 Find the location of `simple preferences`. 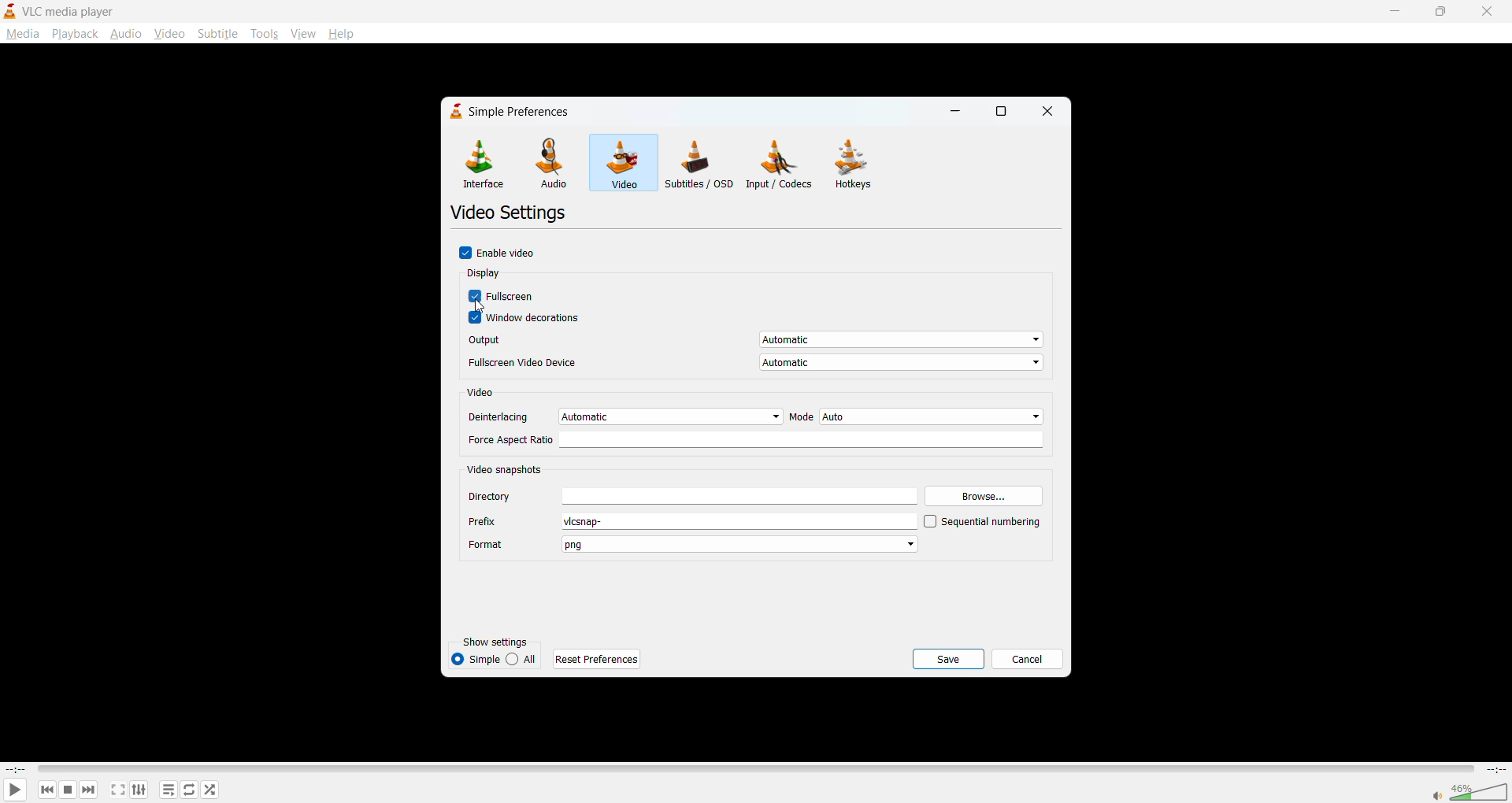

simple preferences is located at coordinates (507, 111).